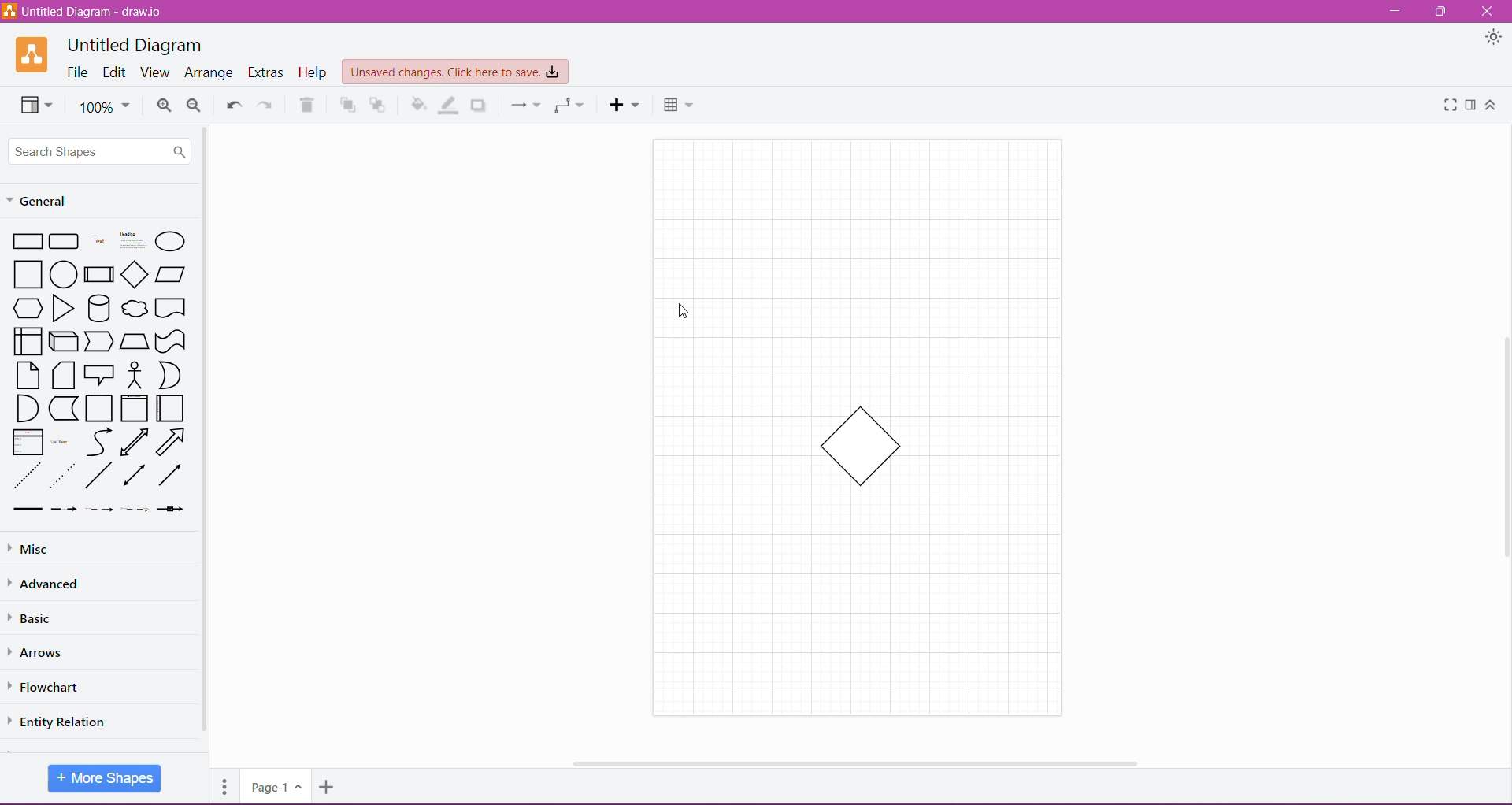  Describe the element at coordinates (306, 105) in the screenshot. I see `Delete` at that location.